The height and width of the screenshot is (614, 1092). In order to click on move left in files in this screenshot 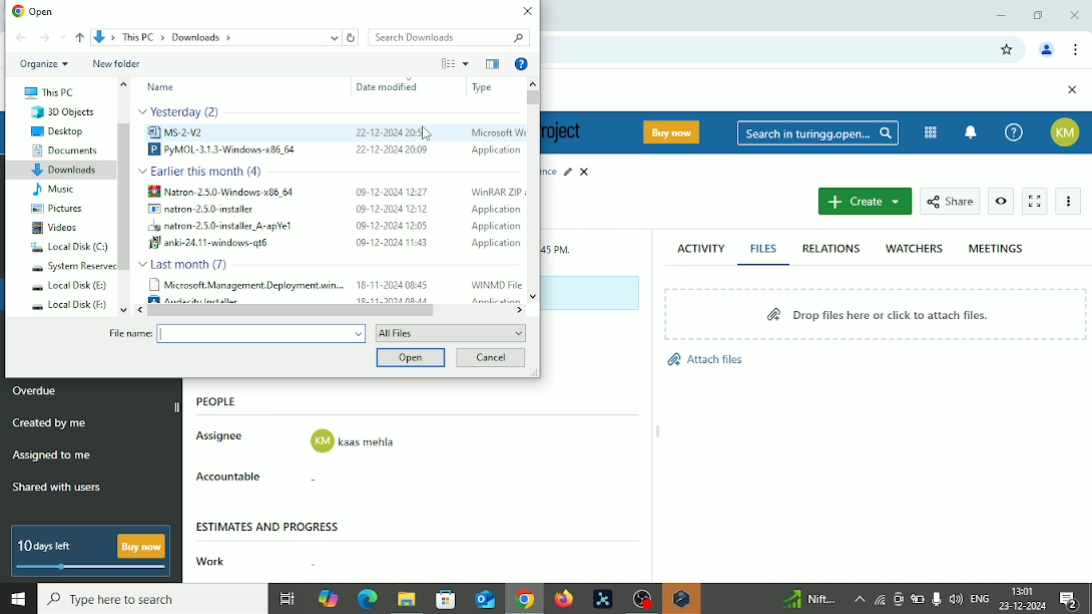, I will do `click(139, 310)`.